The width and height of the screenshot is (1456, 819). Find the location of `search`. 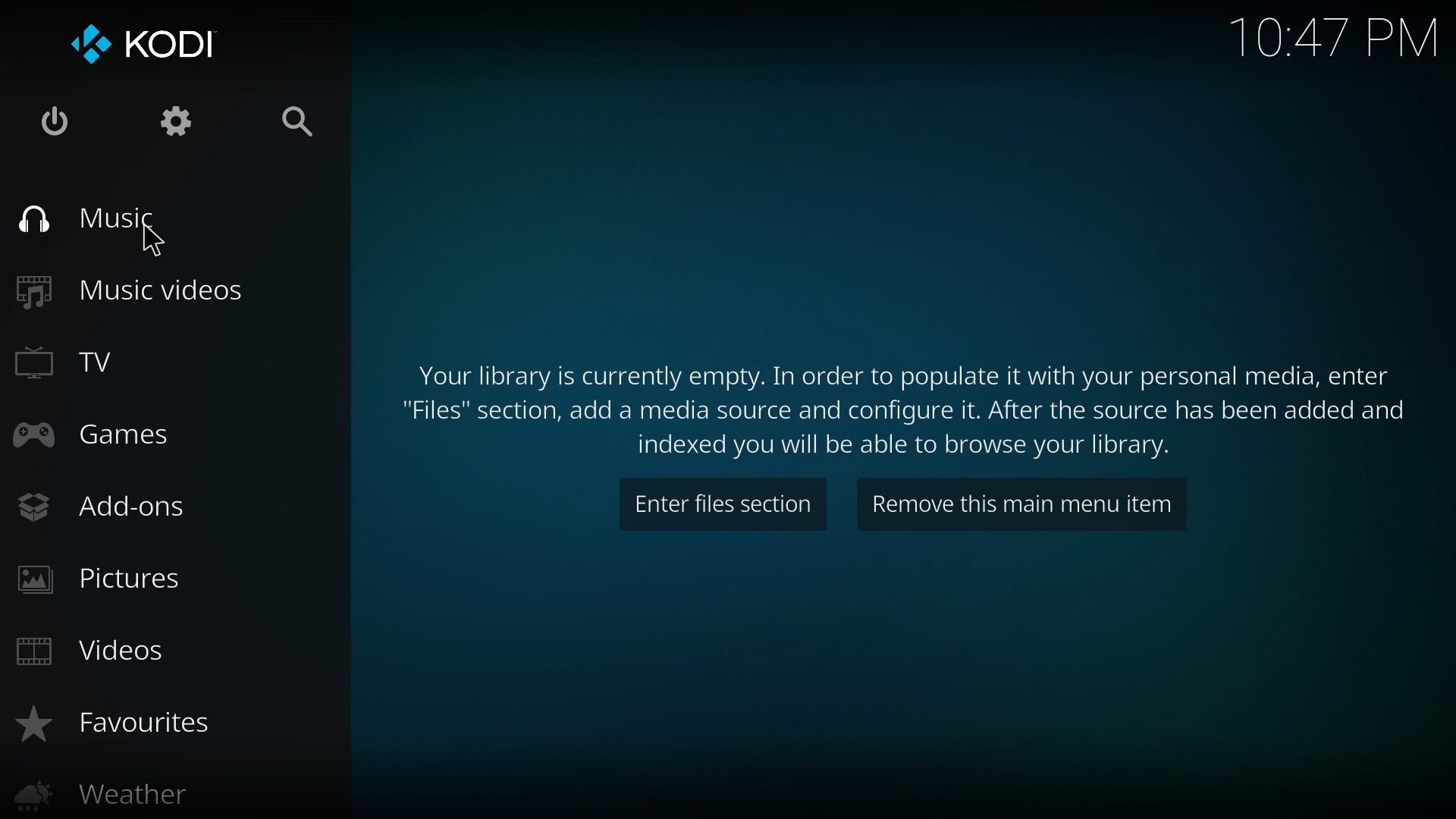

search is located at coordinates (301, 123).